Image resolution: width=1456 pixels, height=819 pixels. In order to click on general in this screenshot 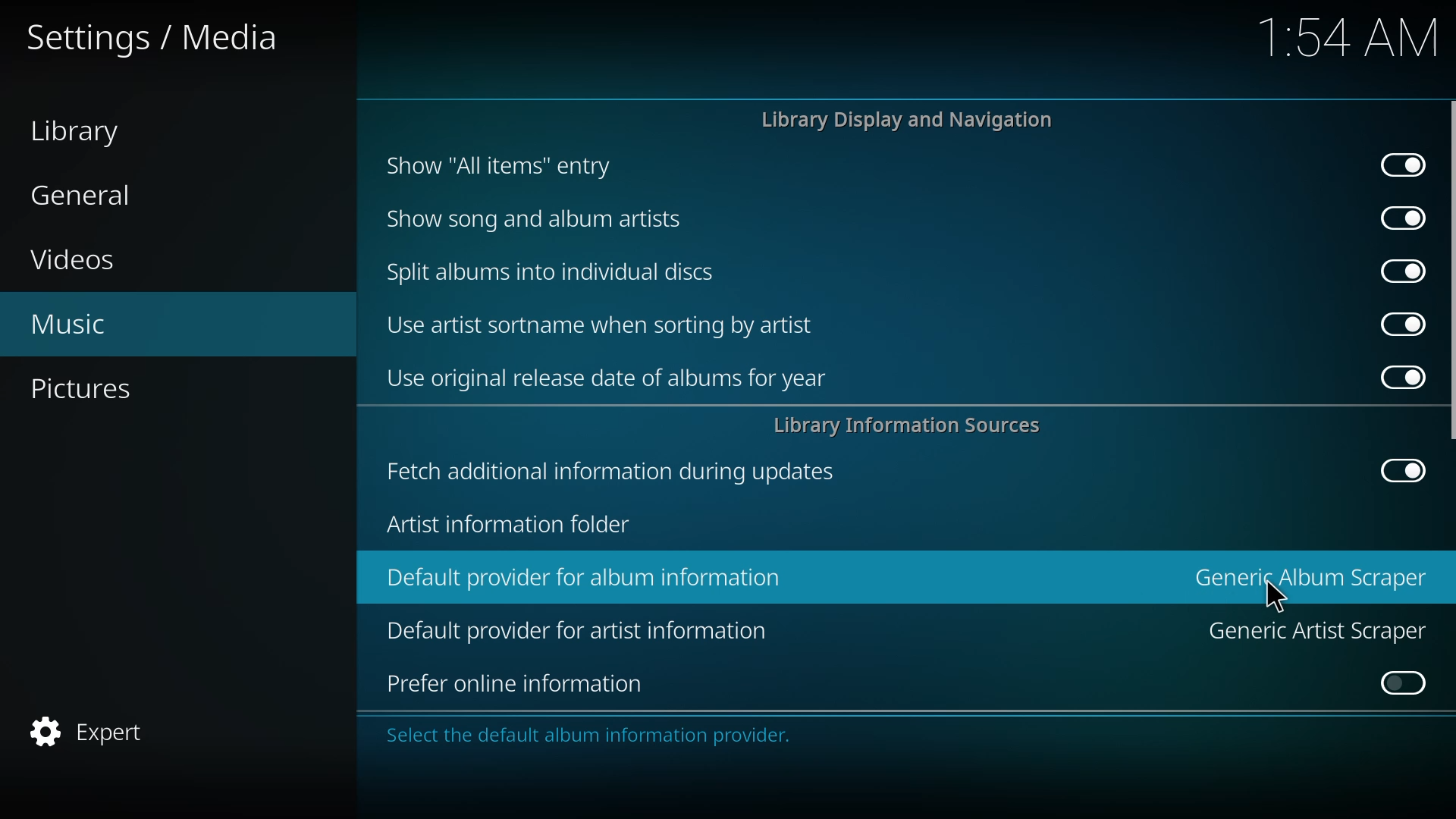, I will do `click(94, 196)`.